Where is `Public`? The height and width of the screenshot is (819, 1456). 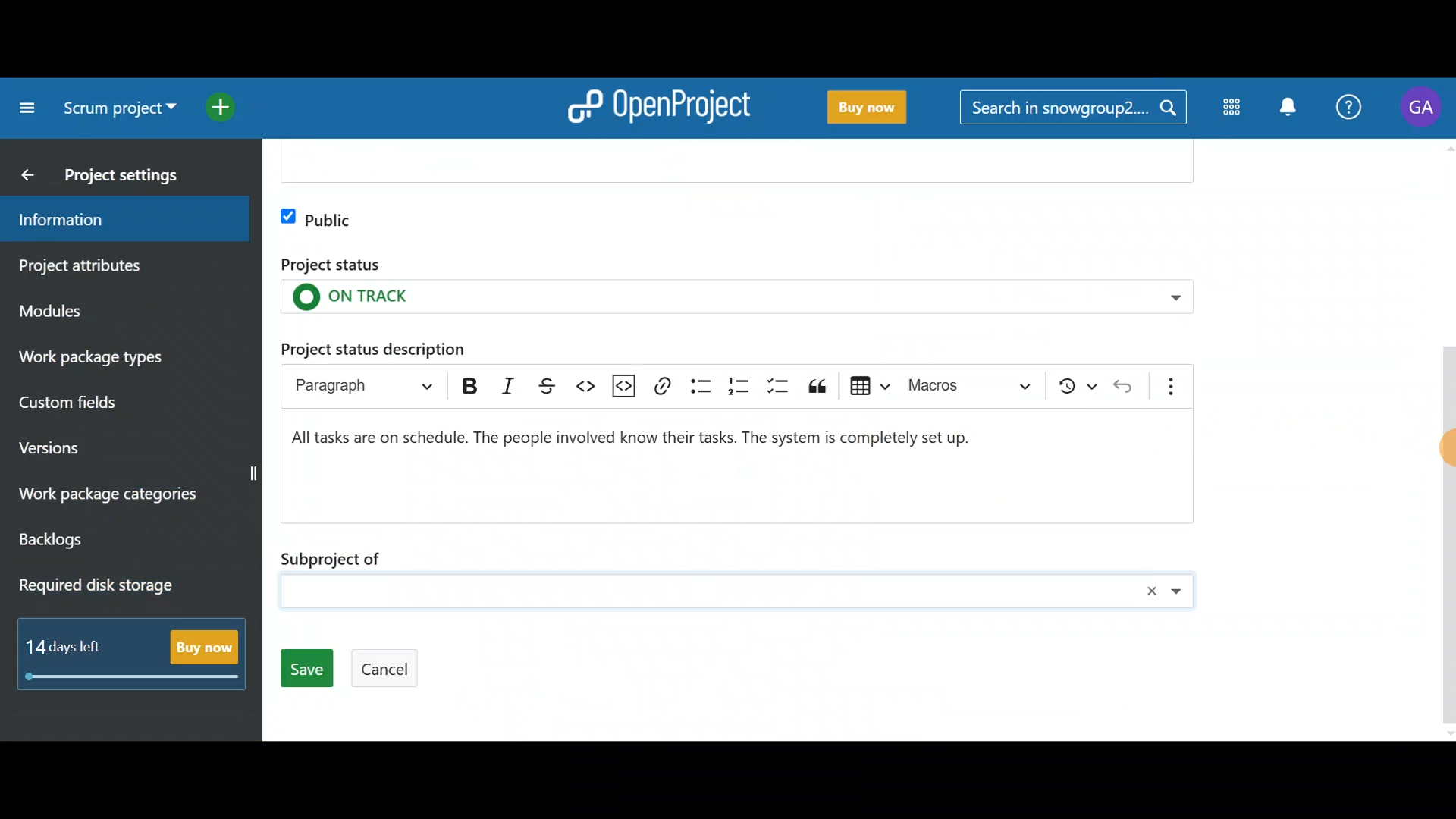 Public is located at coordinates (315, 216).